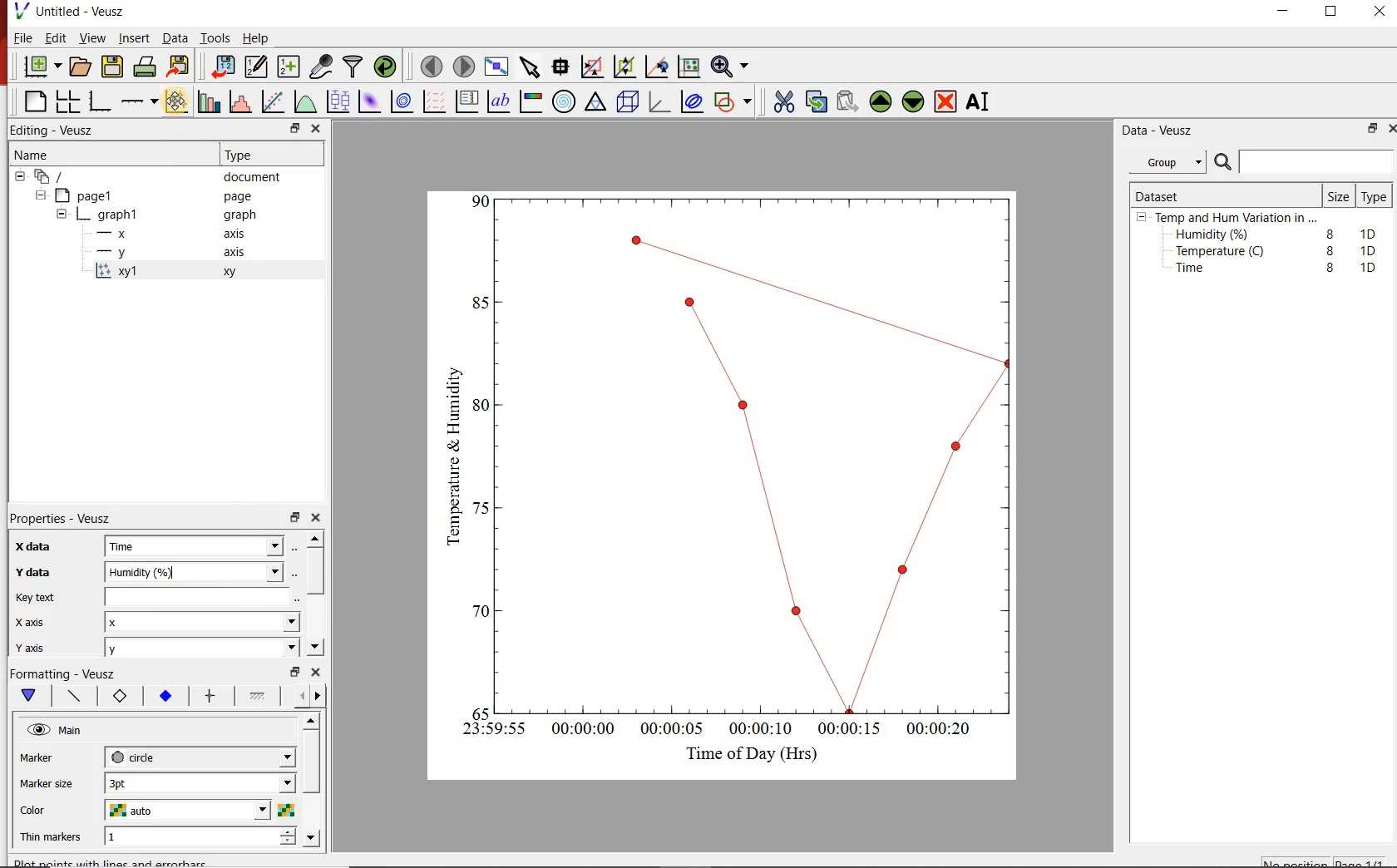  I want to click on 23:59:55, so click(487, 730).